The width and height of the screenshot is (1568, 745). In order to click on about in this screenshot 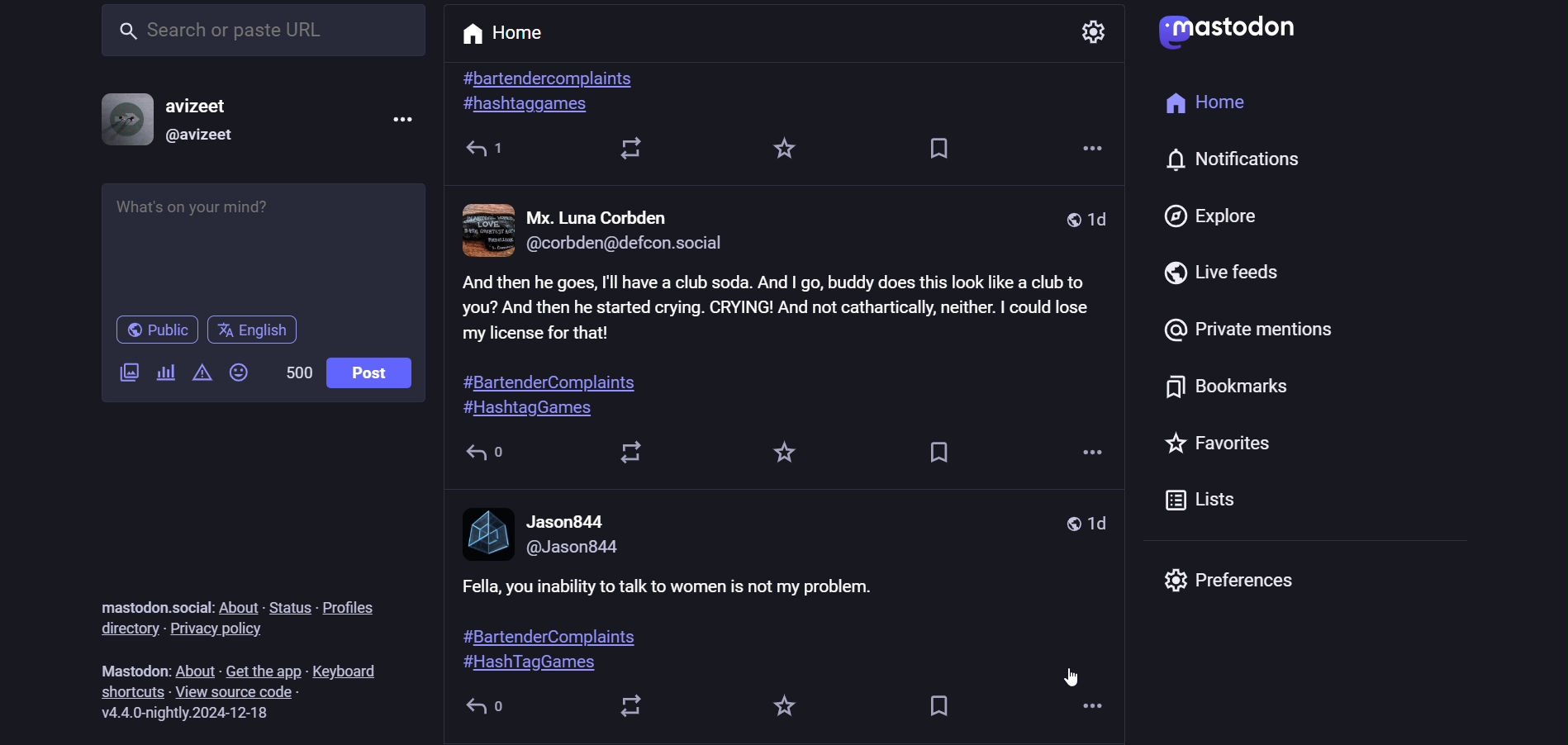, I will do `click(240, 600)`.